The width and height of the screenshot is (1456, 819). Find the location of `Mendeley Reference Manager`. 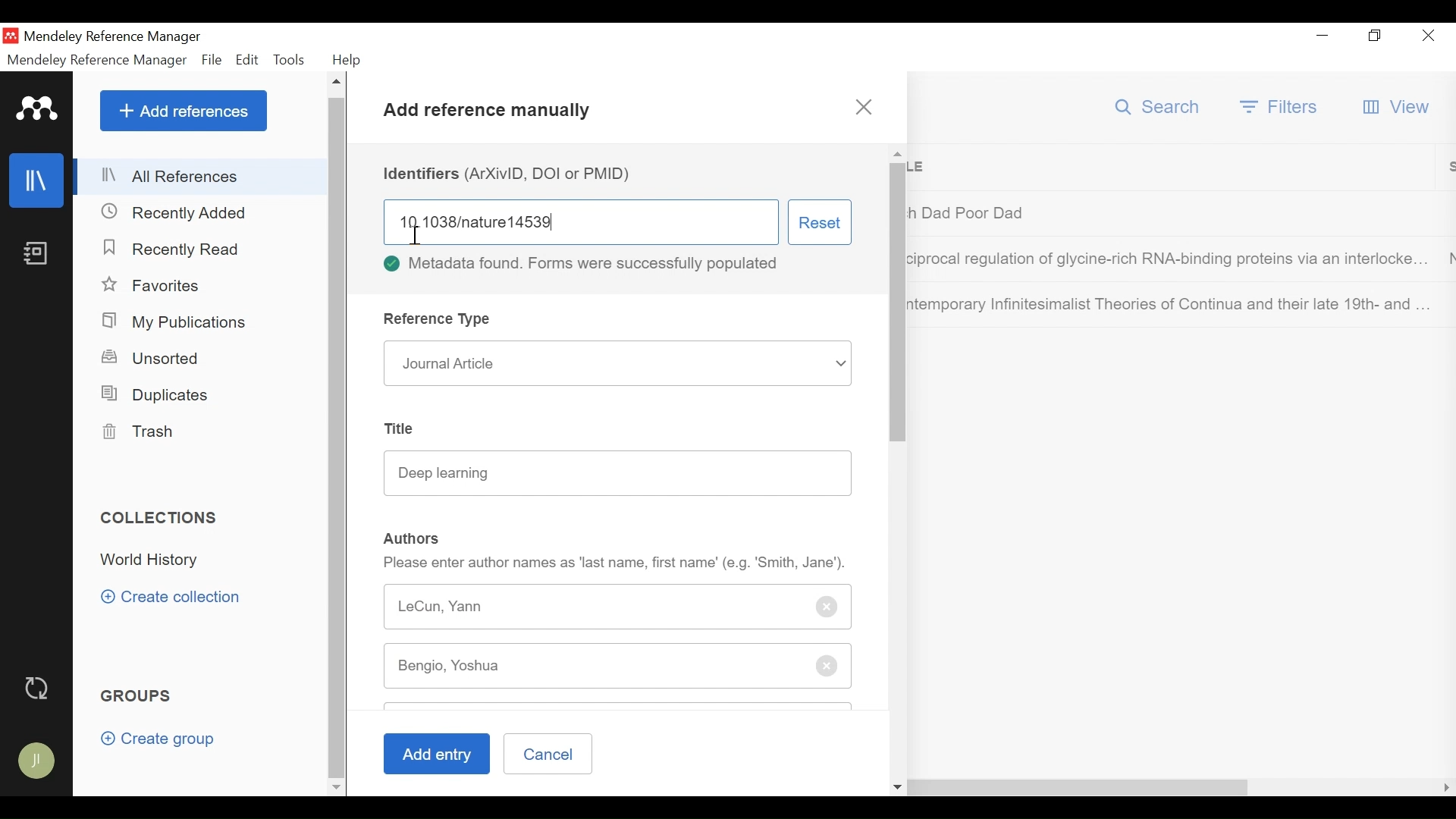

Mendeley Reference Manager is located at coordinates (115, 36).